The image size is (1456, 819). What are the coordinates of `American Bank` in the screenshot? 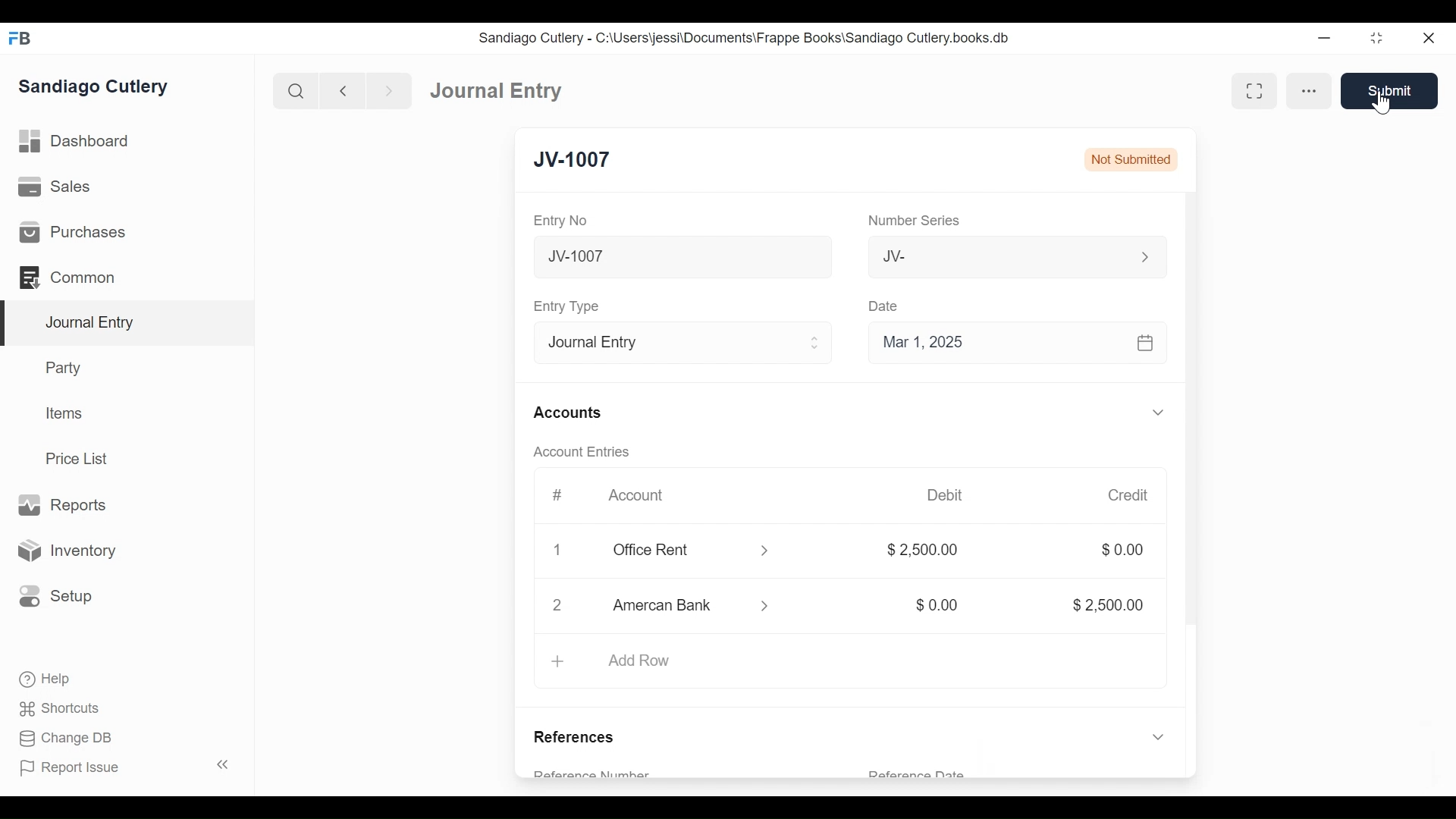 It's located at (698, 608).